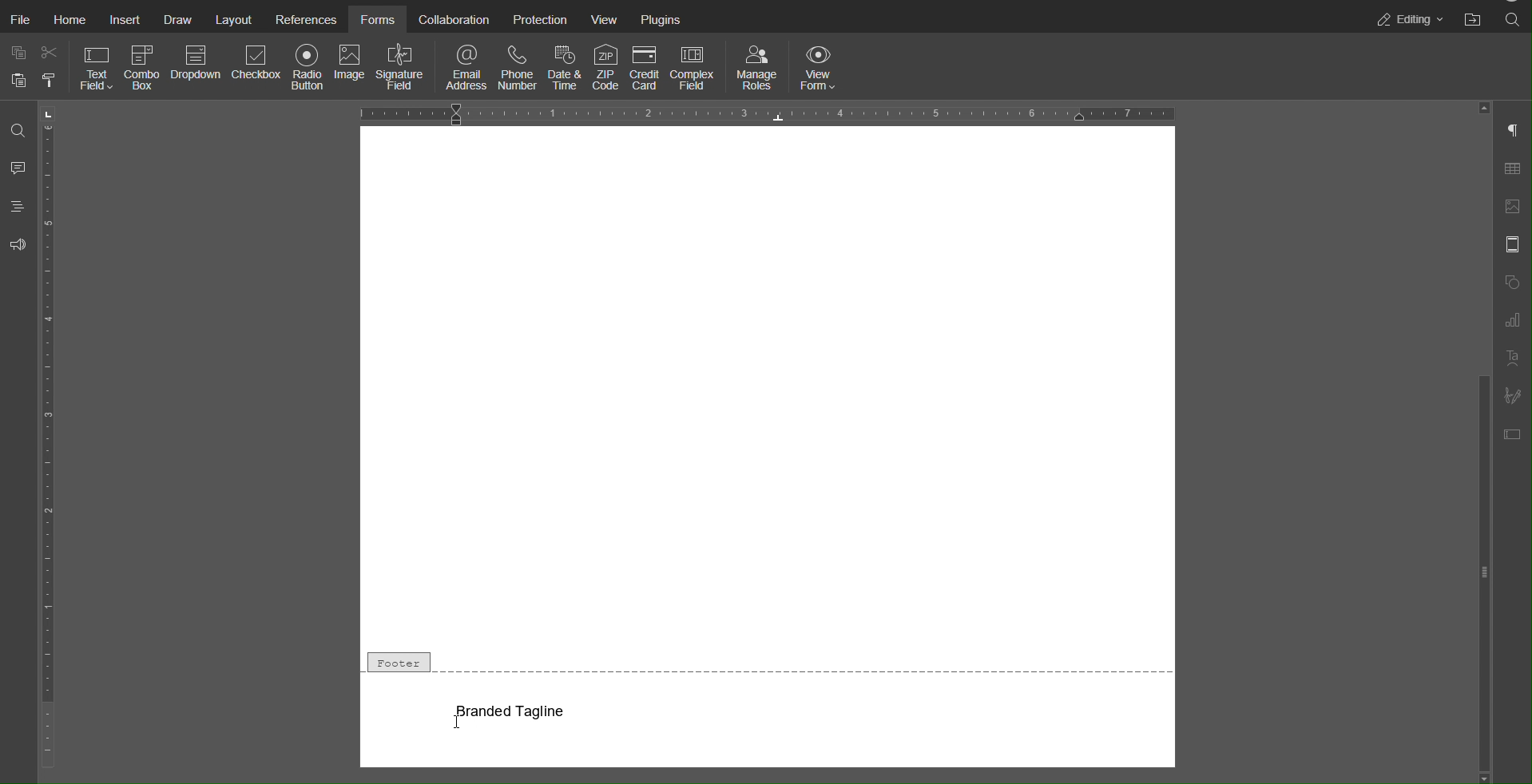  Describe the element at coordinates (1473, 20) in the screenshot. I see `Open File Location` at that location.